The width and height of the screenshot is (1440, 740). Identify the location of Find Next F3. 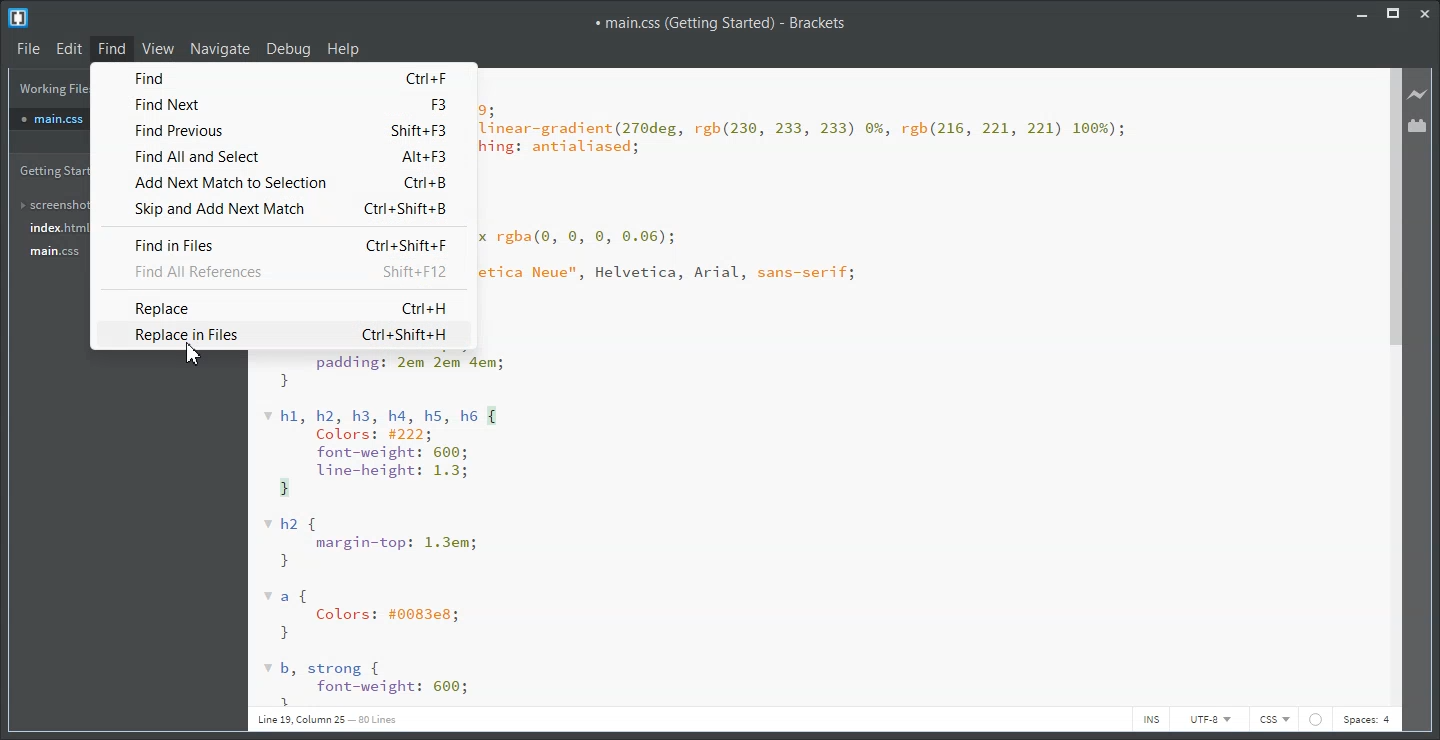
(287, 103).